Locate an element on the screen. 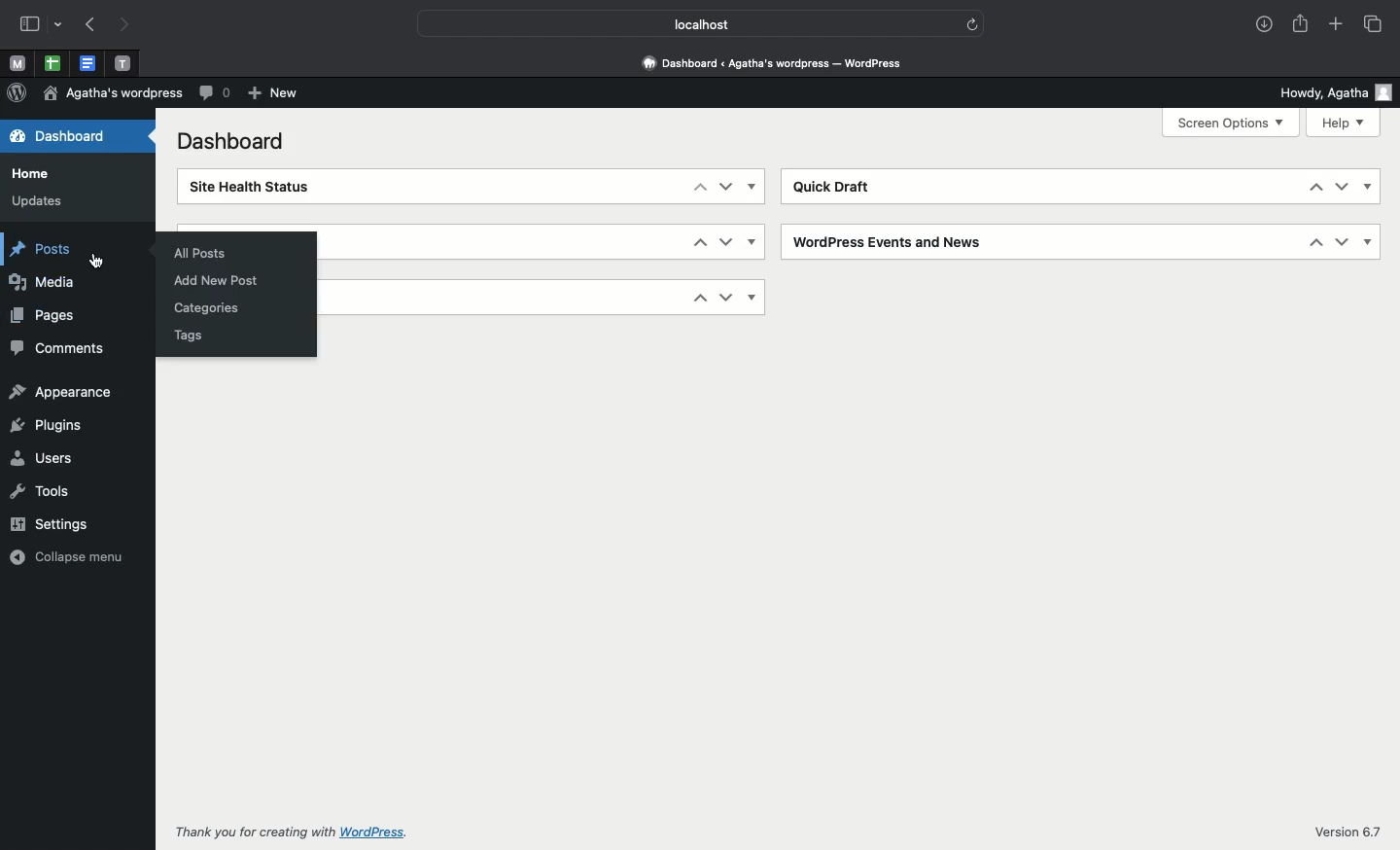 The image size is (1400, 850). Hide is located at coordinates (1369, 187).